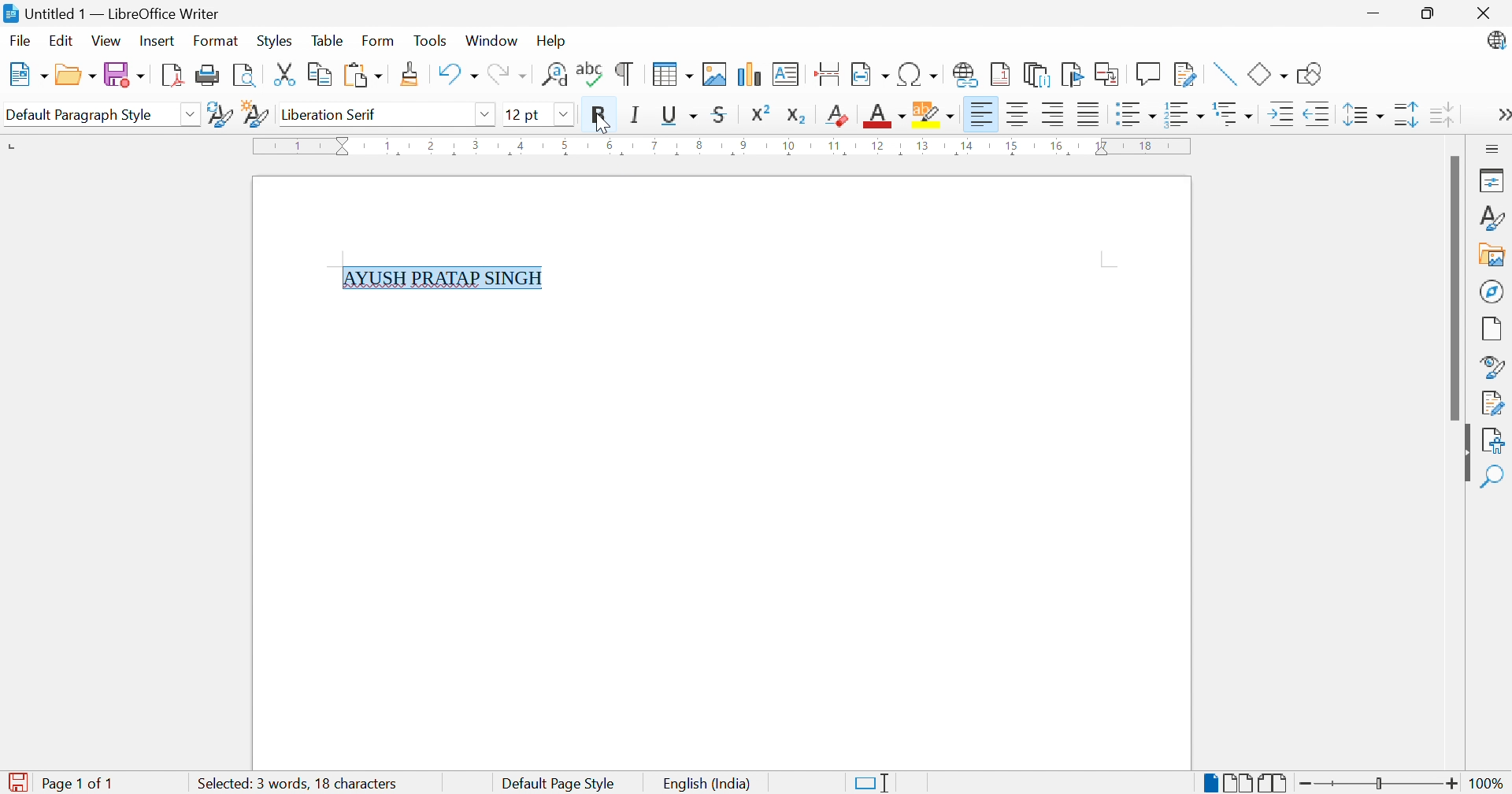 Image resolution: width=1512 pixels, height=794 pixels. I want to click on Restore Down, so click(1429, 11).